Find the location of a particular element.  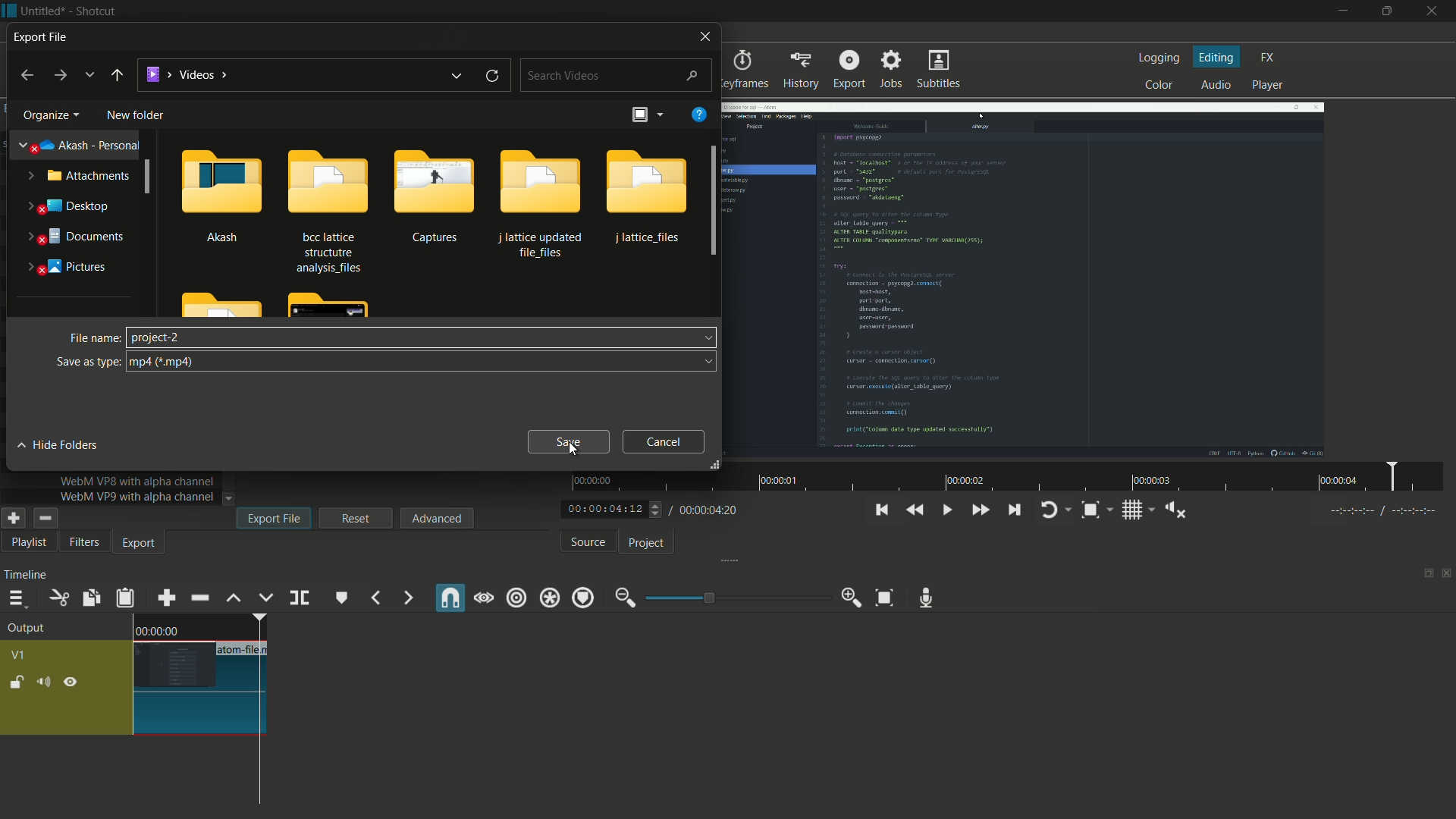

previous location is located at coordinates (457, 76).